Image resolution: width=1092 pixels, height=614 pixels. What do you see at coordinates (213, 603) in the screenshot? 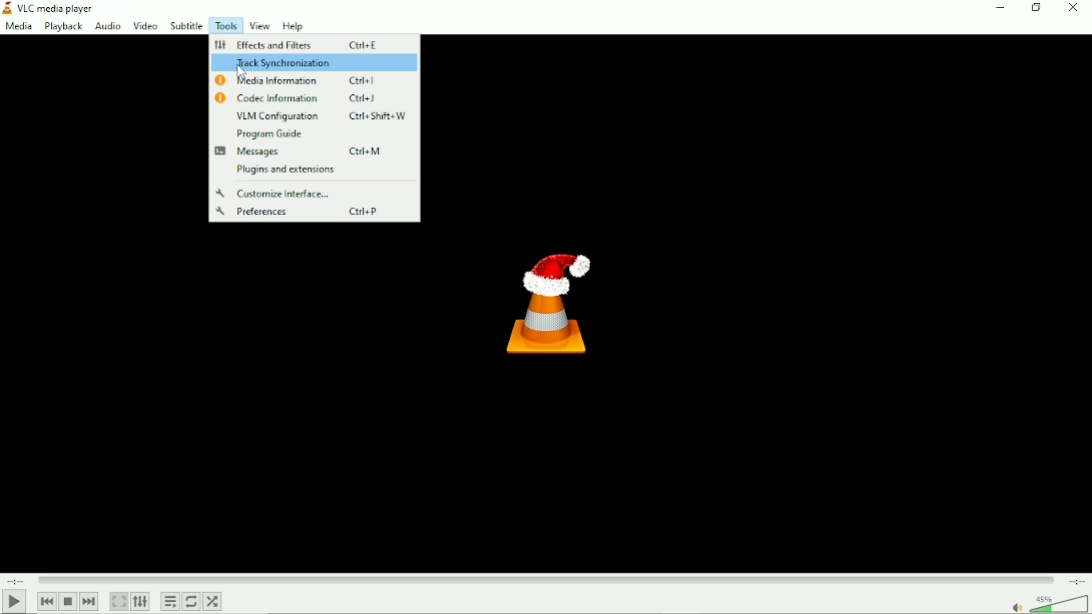
I see `Random` at bounding box center [213, 603].